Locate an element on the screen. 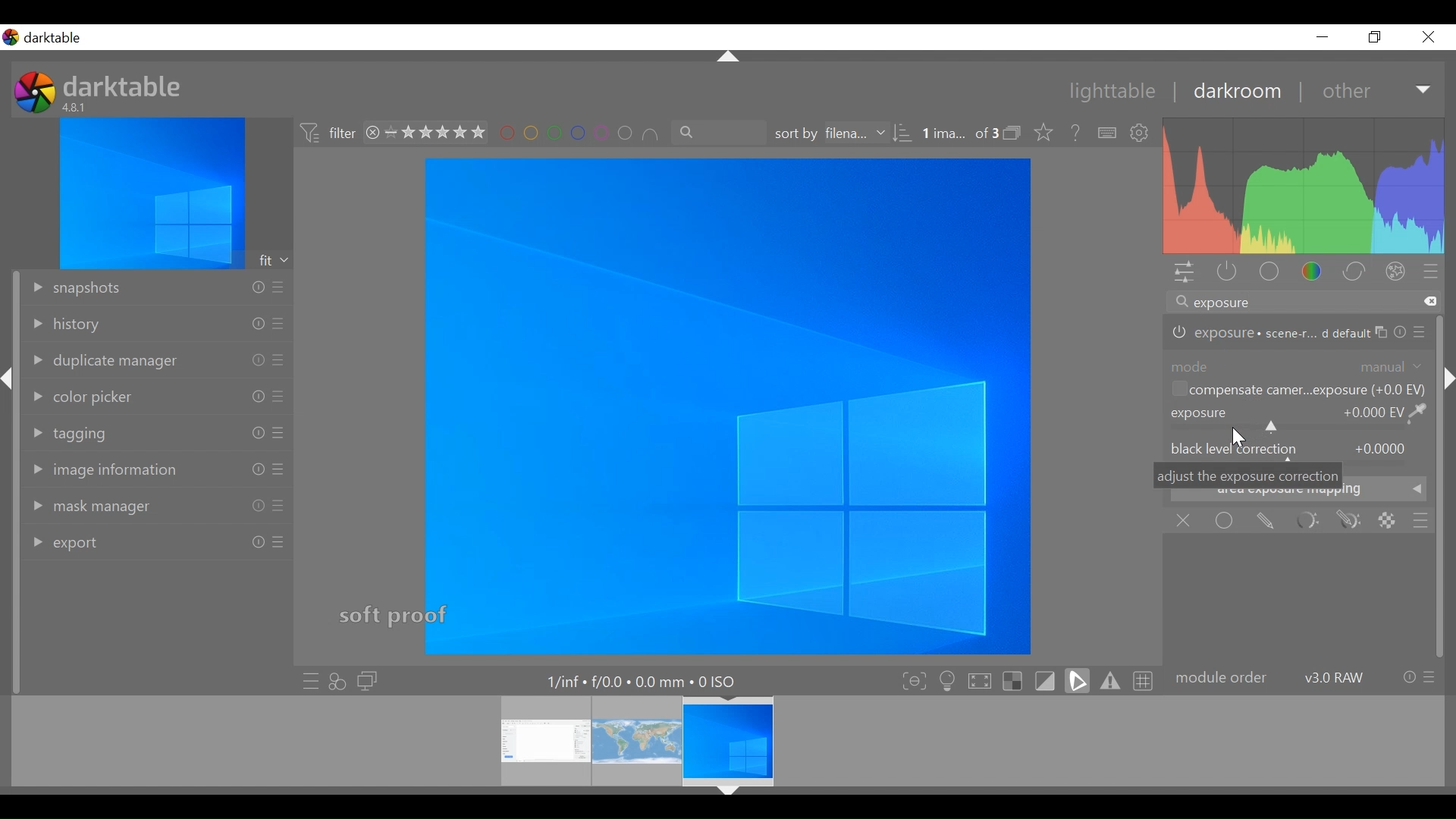 This screenshot has width=1456, height=819. mask manager is located at coordinates (84, 508).